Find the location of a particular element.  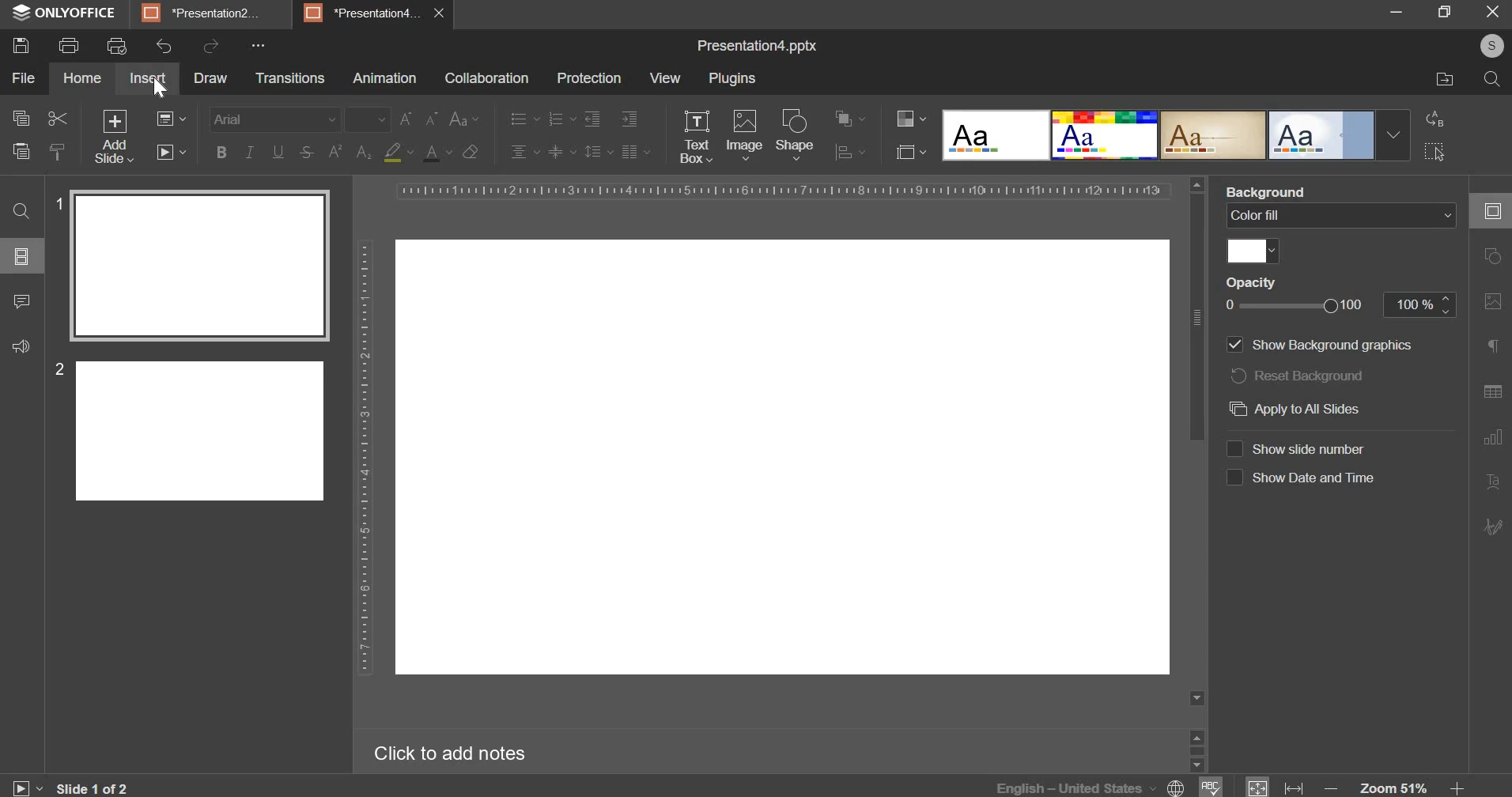

insert is located at coordinates (149, 78).